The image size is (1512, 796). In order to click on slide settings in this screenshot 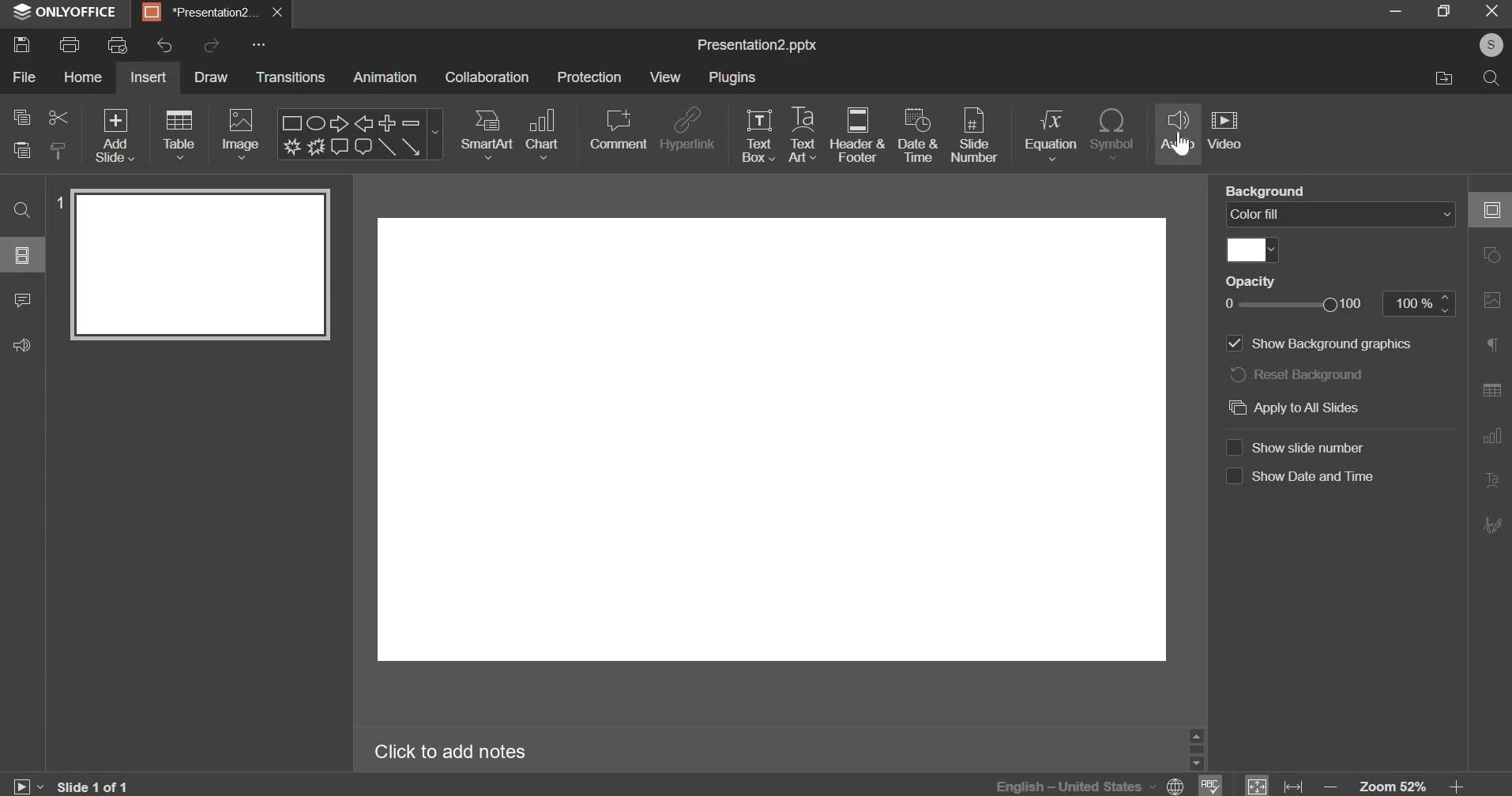, I will do `click(1491, 209)`.